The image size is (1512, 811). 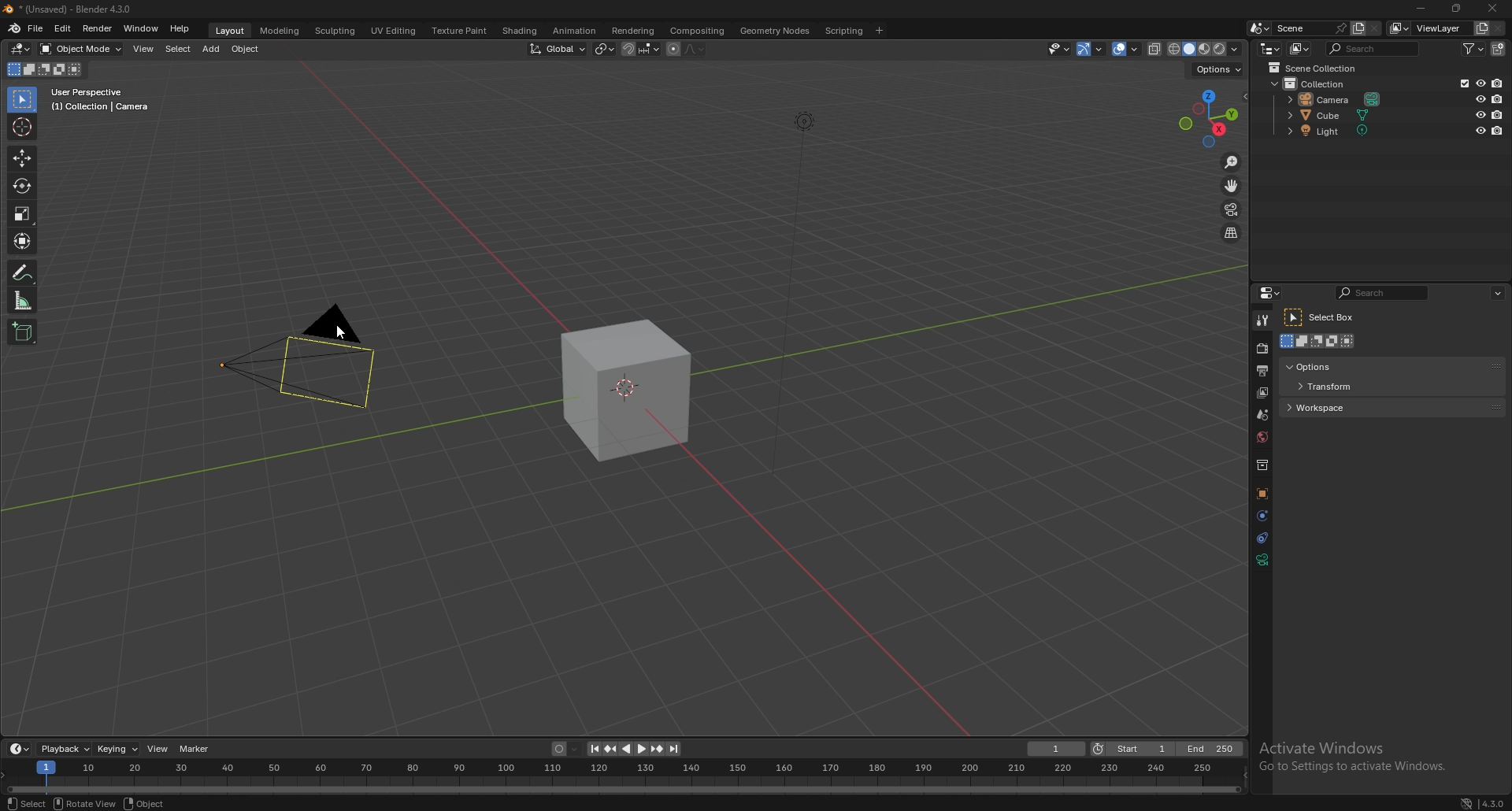 I want to click on search, so click(x=1373, y=48).